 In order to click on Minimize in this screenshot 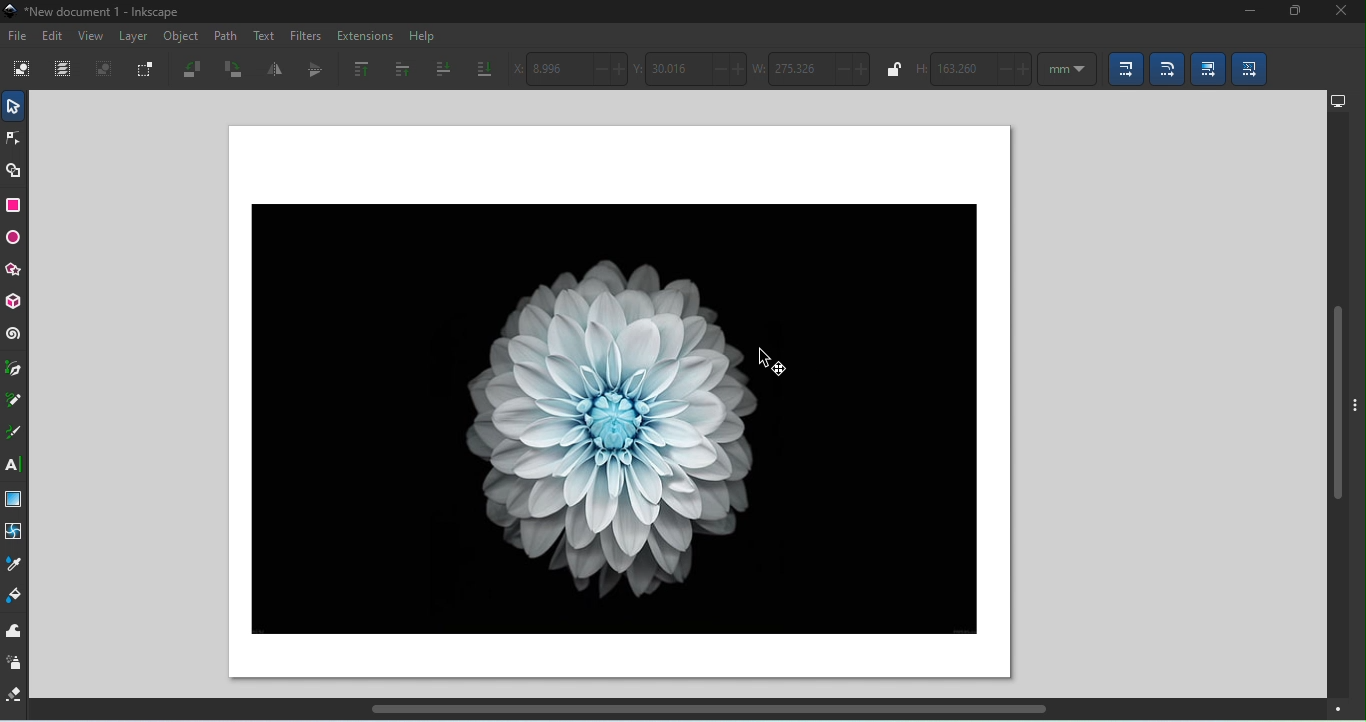, I will do `click(1244, 13)`.